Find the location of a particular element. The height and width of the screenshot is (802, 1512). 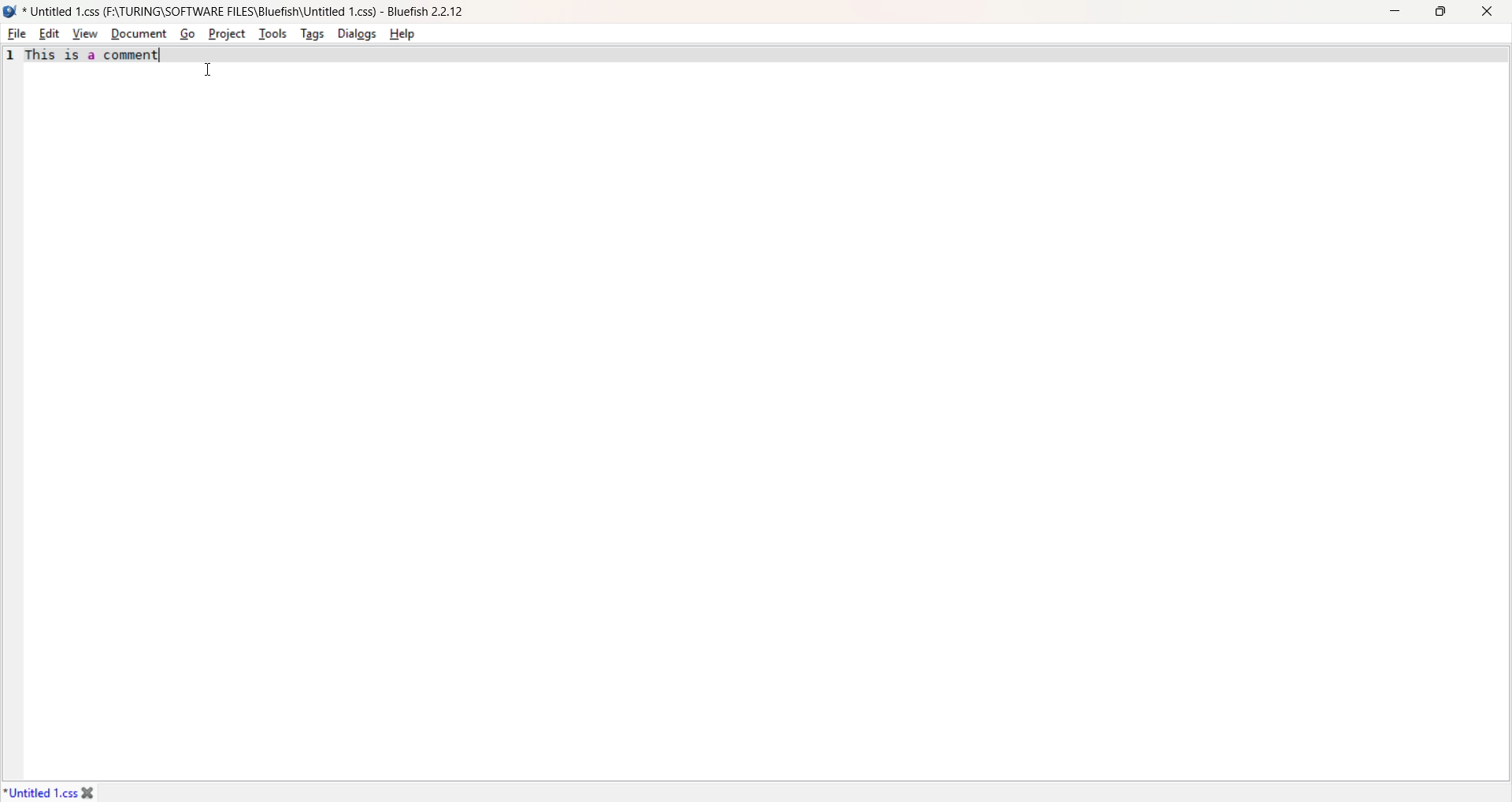

Edit is located at coordinates (47, 33).